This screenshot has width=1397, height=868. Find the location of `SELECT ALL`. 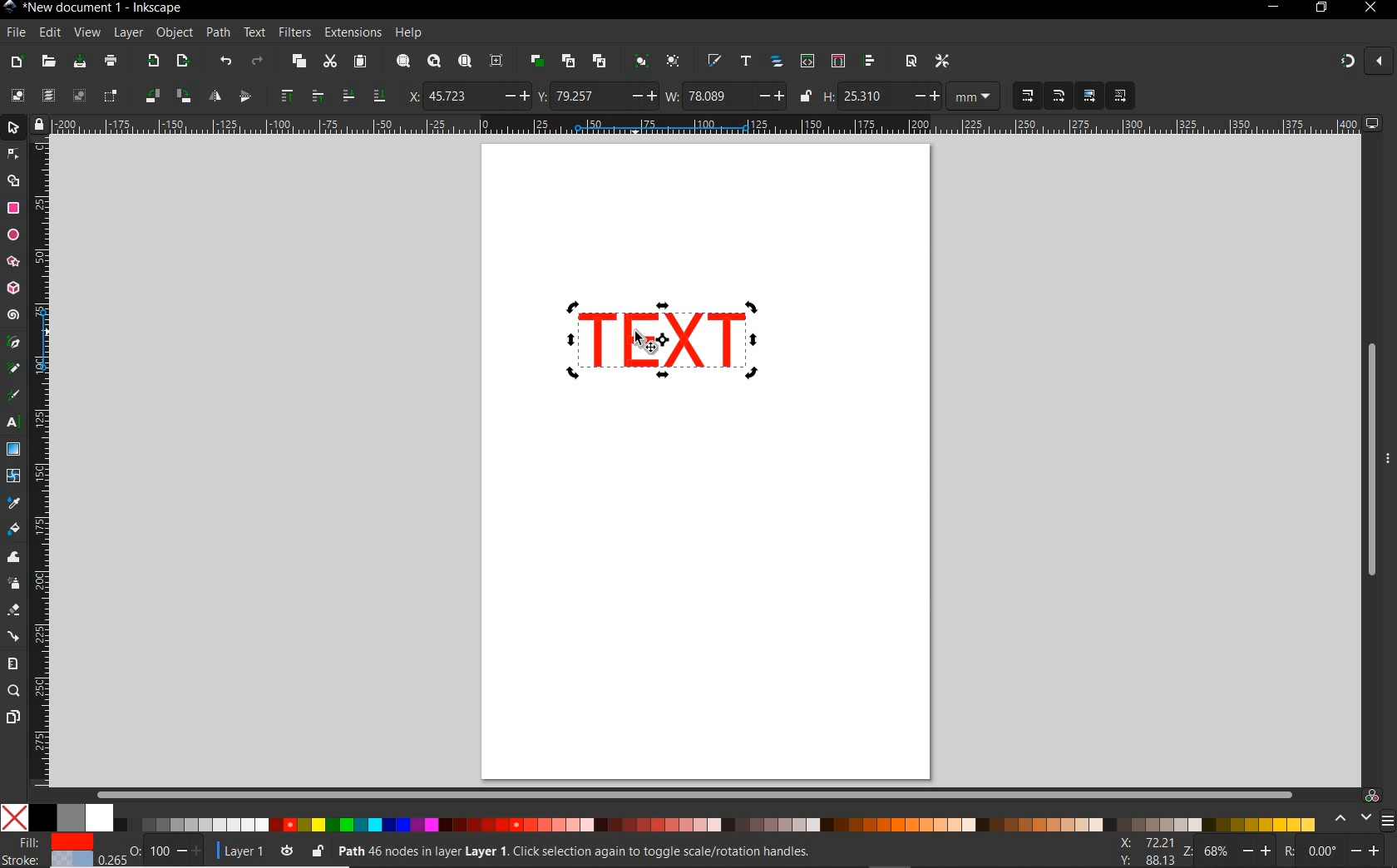

SELECT ALL is located at coordinates (17, 95).